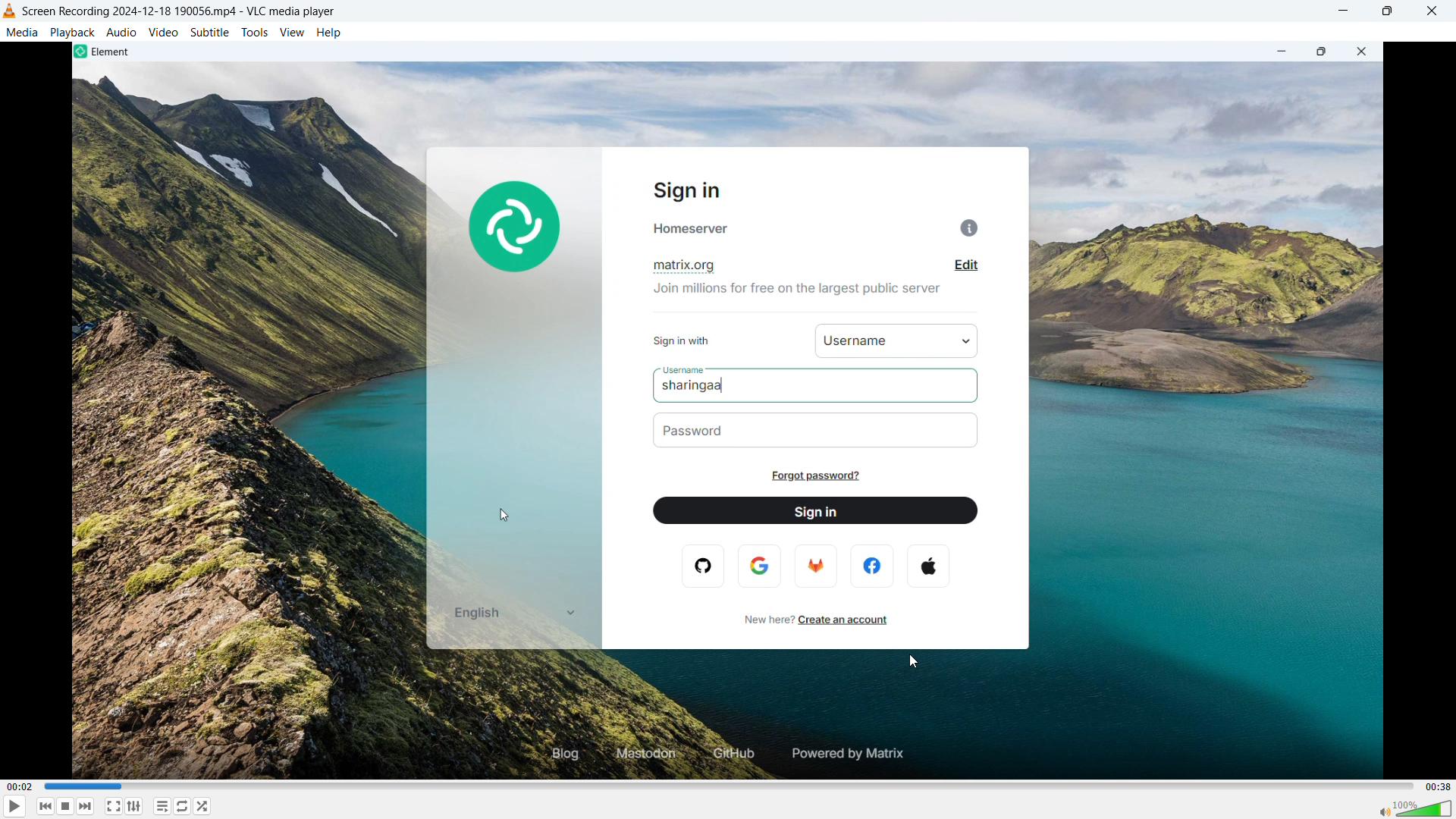  I want to click on Sound bar , so click(1416, 808).